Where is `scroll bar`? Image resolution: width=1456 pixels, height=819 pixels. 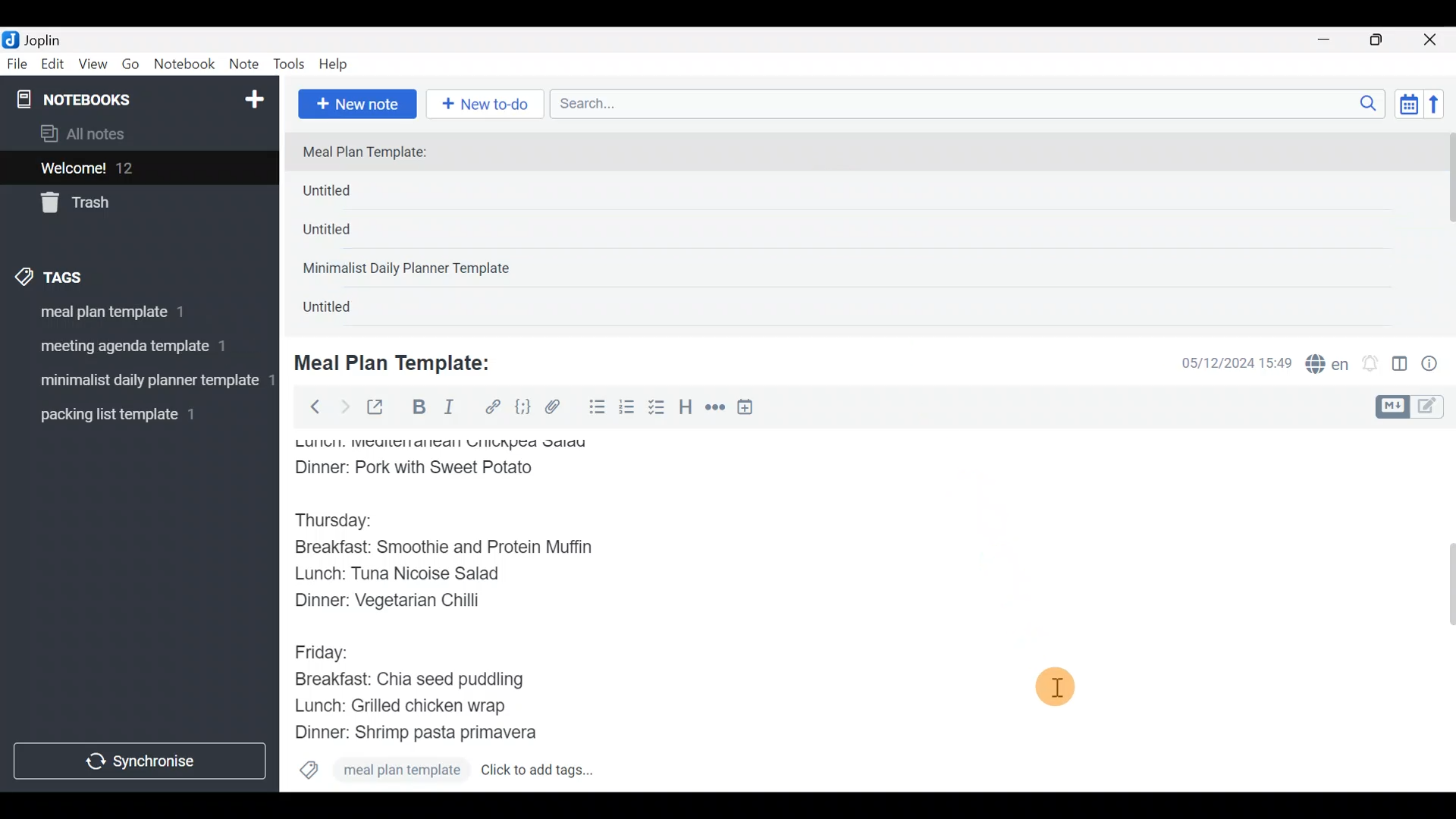
scroll bar is located at coordinates (1446, 229).